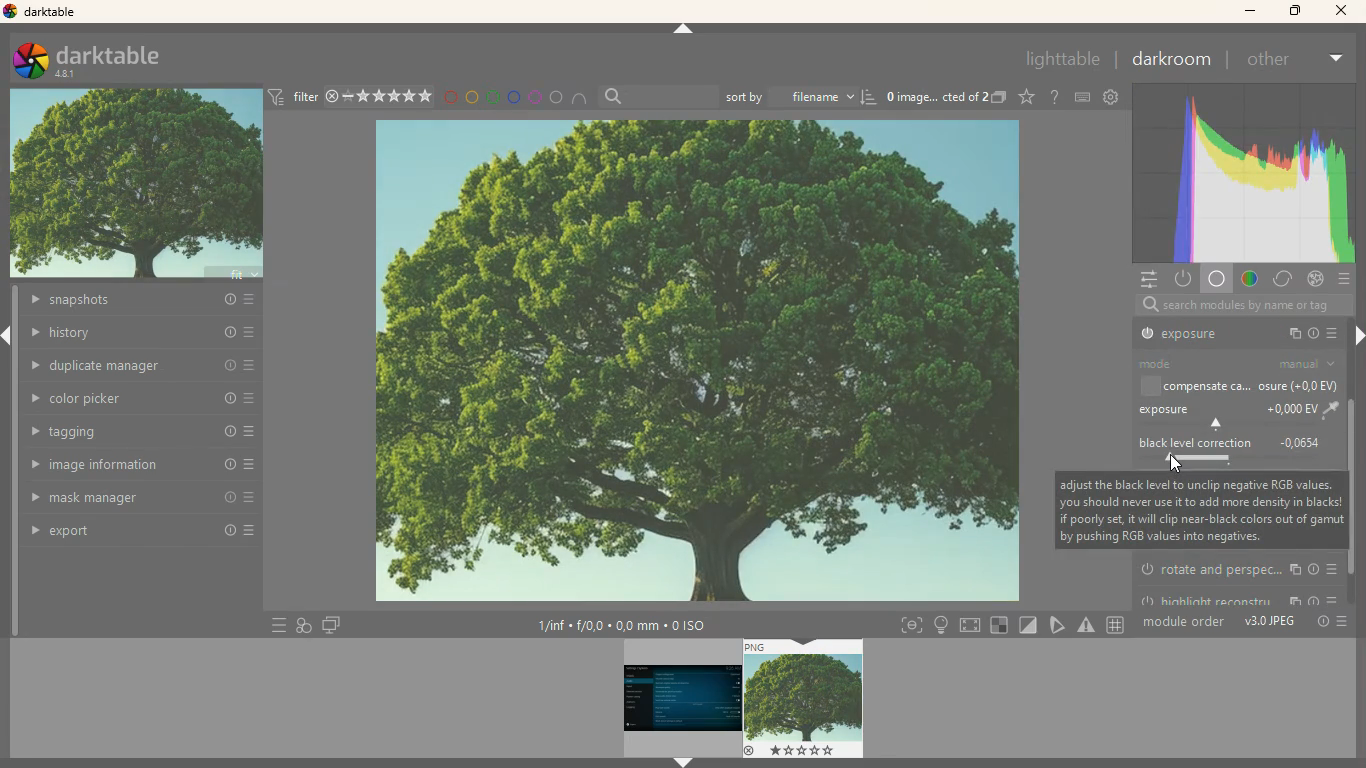 The width and height of the screenshot is (1366, 768). Describe the element at coordinates (491, 97) in the screenshot. I see `green circle` at that location.